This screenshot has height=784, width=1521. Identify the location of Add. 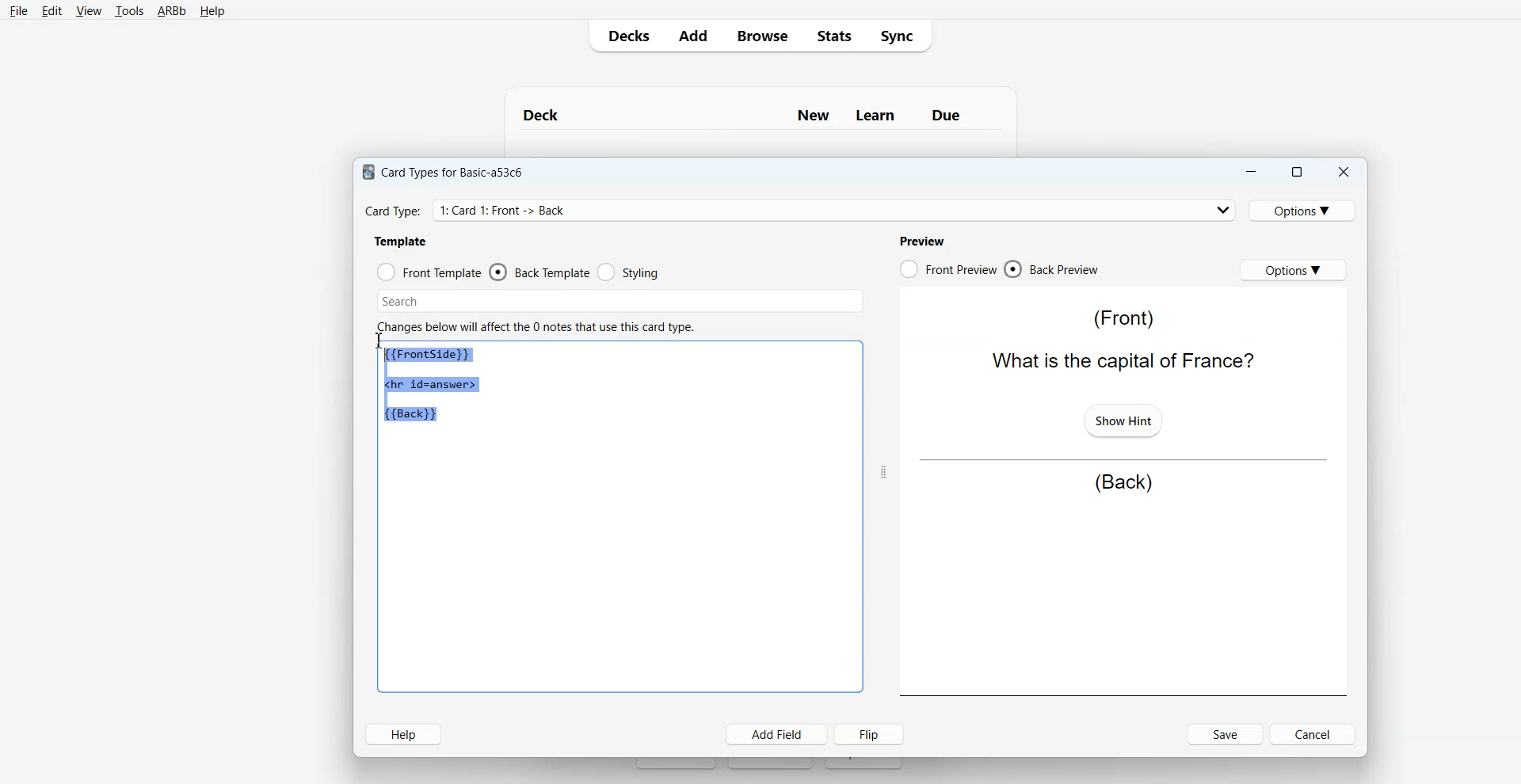
(692, 36).